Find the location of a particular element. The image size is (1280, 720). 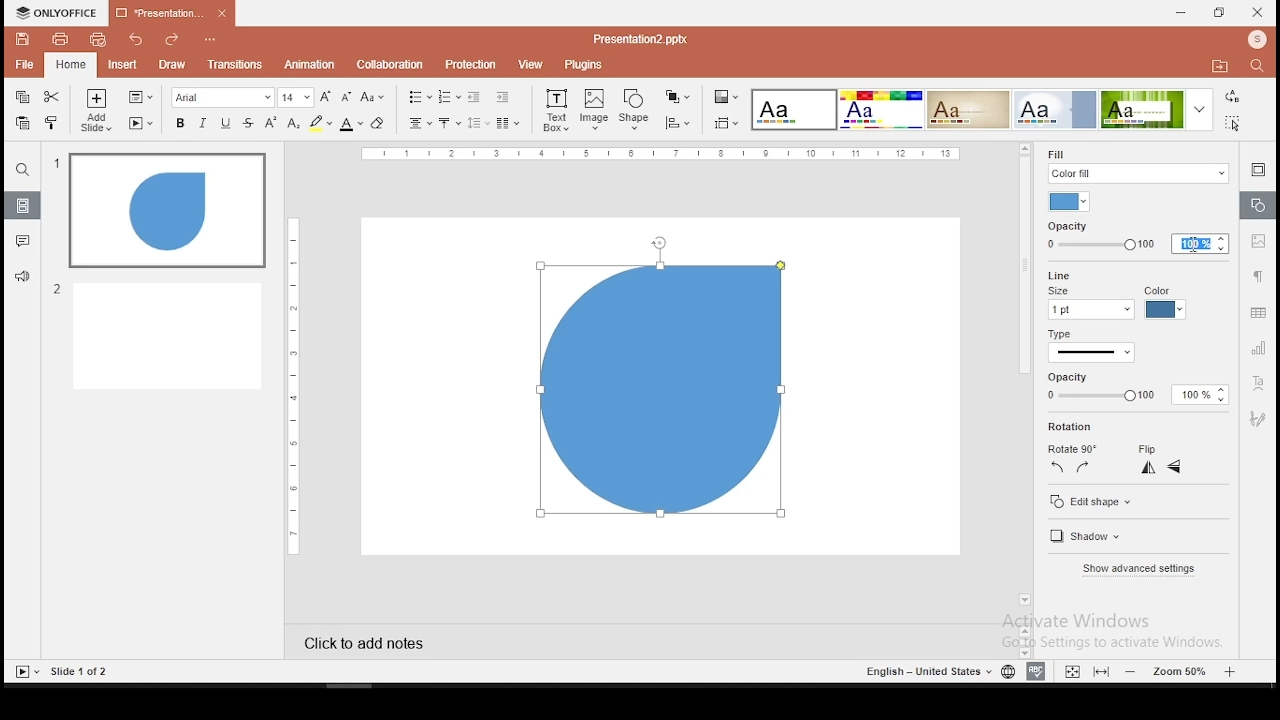

redo is located at coordinates (167, 40).